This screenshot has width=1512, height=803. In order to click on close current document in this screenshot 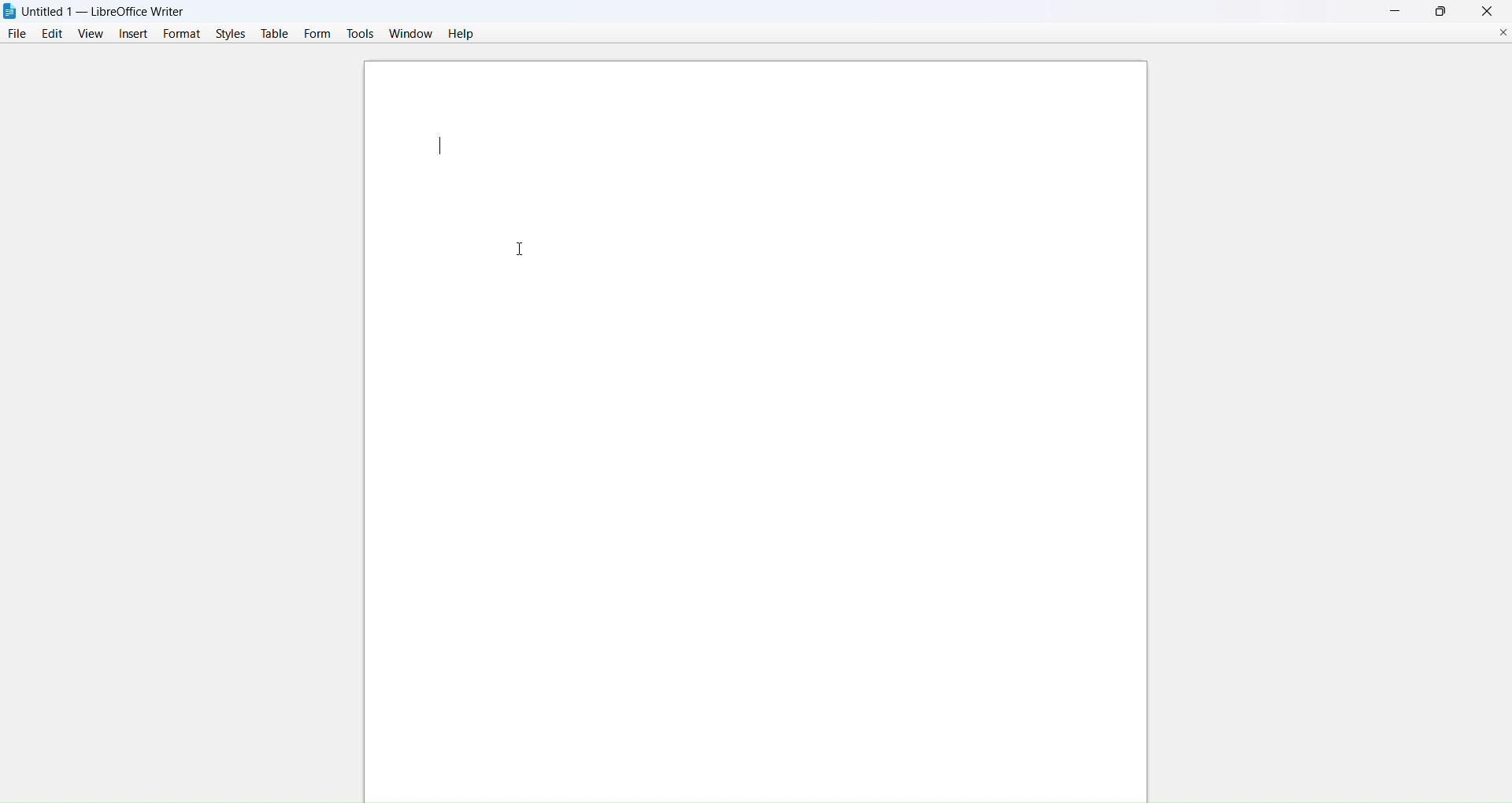, I will do `click(1503, 35)`.